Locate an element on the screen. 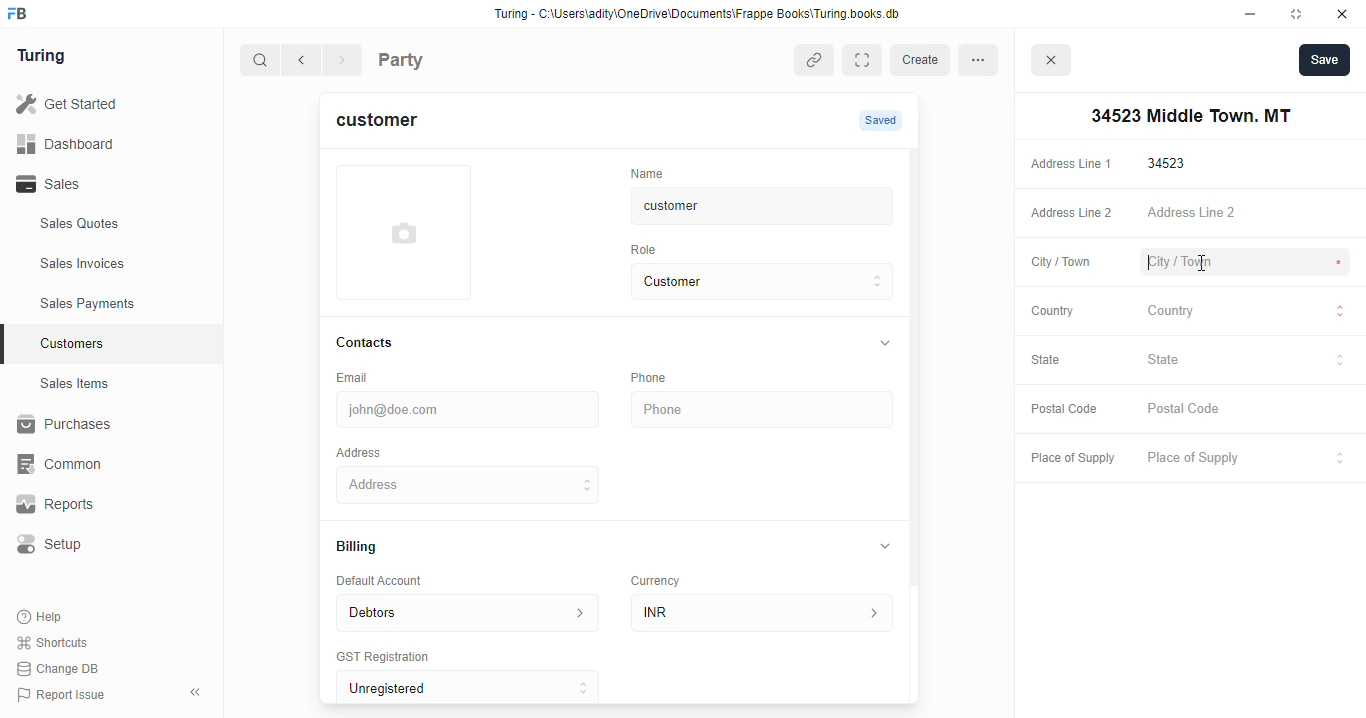 This screenshot has width=1366, height=718. more options is located at coordinates (984, 59).